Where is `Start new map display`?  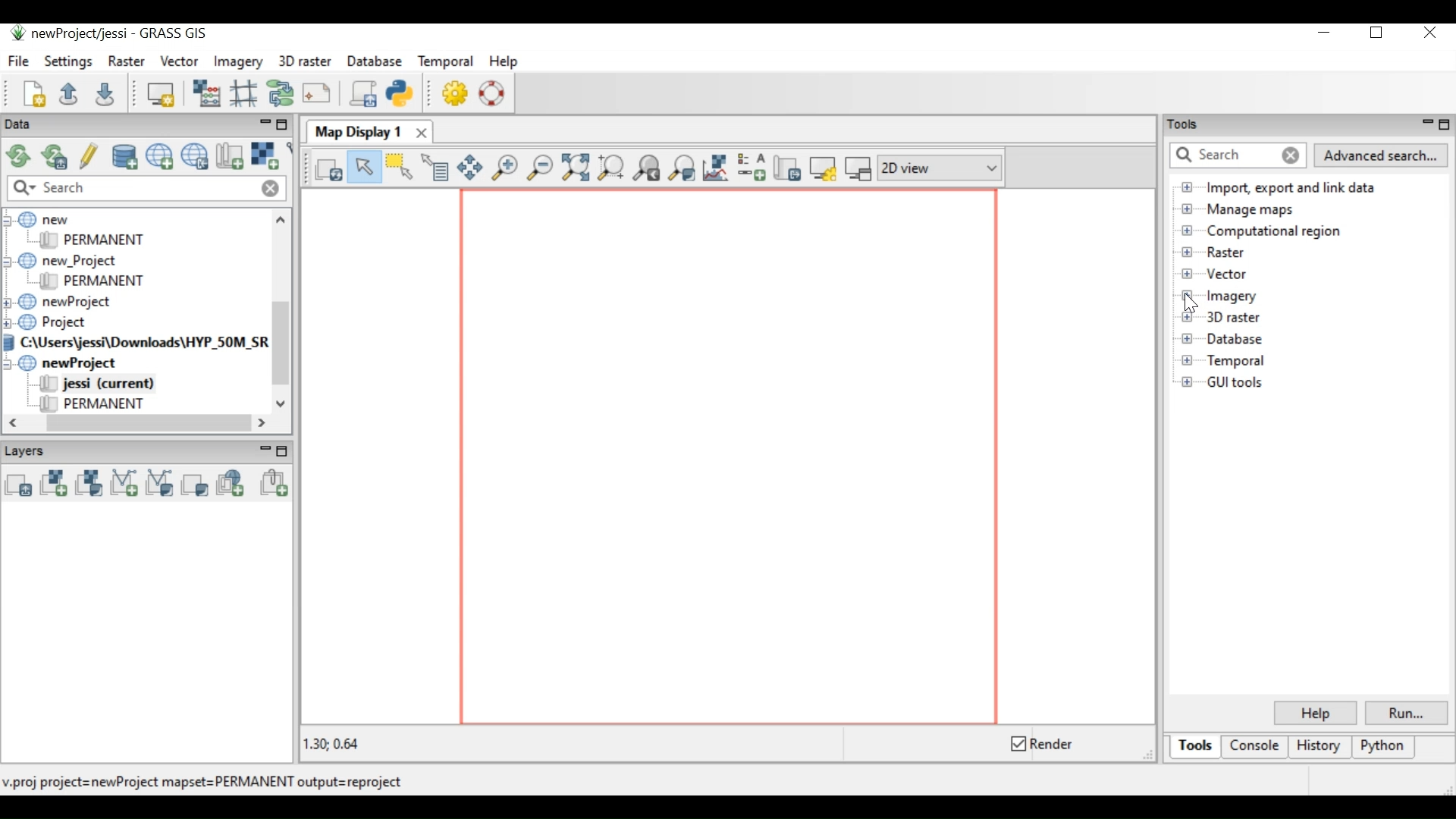 Start new map display is located at coordinates (157, 92).